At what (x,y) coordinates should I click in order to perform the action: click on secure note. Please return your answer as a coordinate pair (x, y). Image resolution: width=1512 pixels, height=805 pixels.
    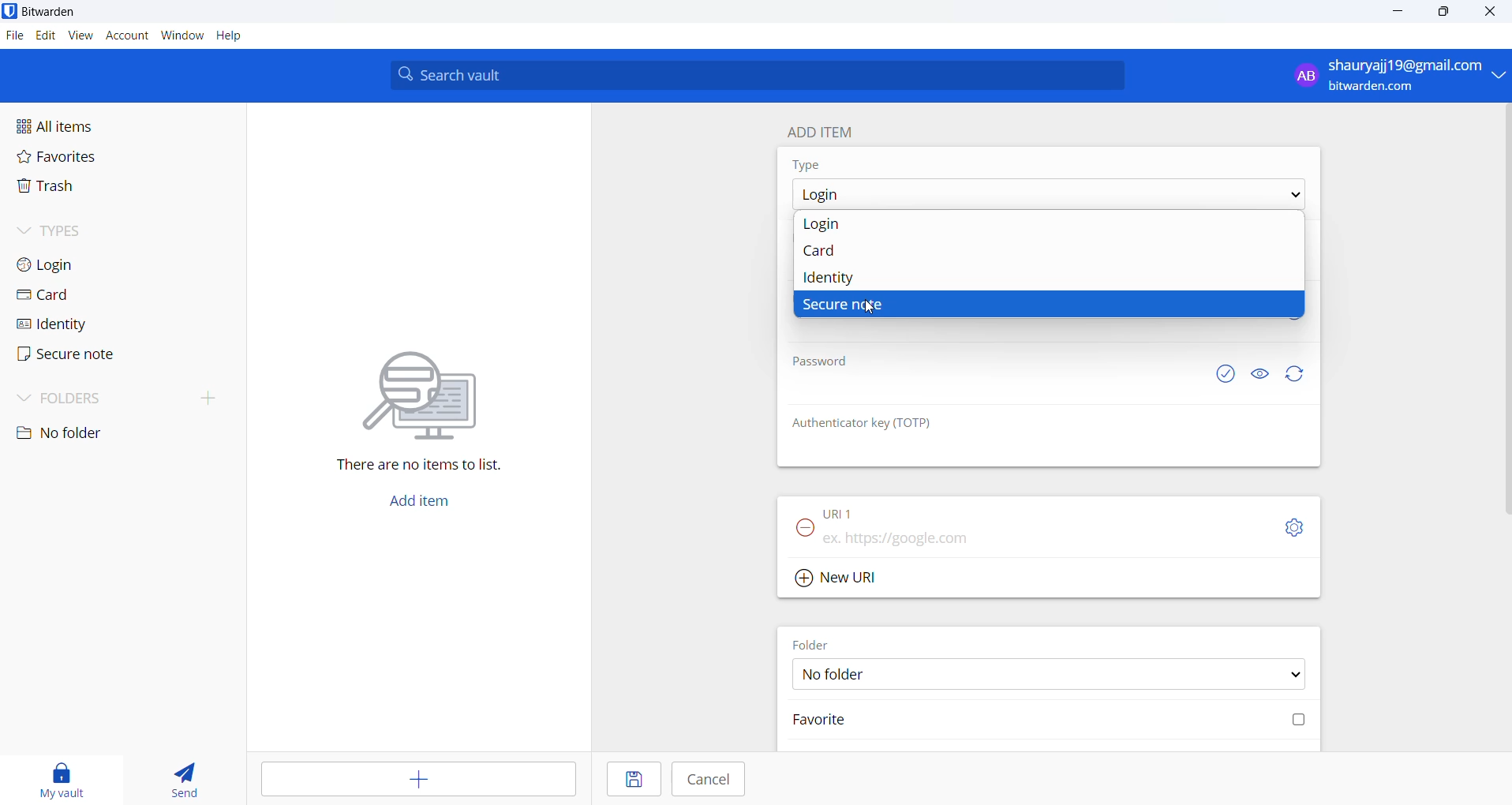
    Looking at the image, I should click on (1052, 306).